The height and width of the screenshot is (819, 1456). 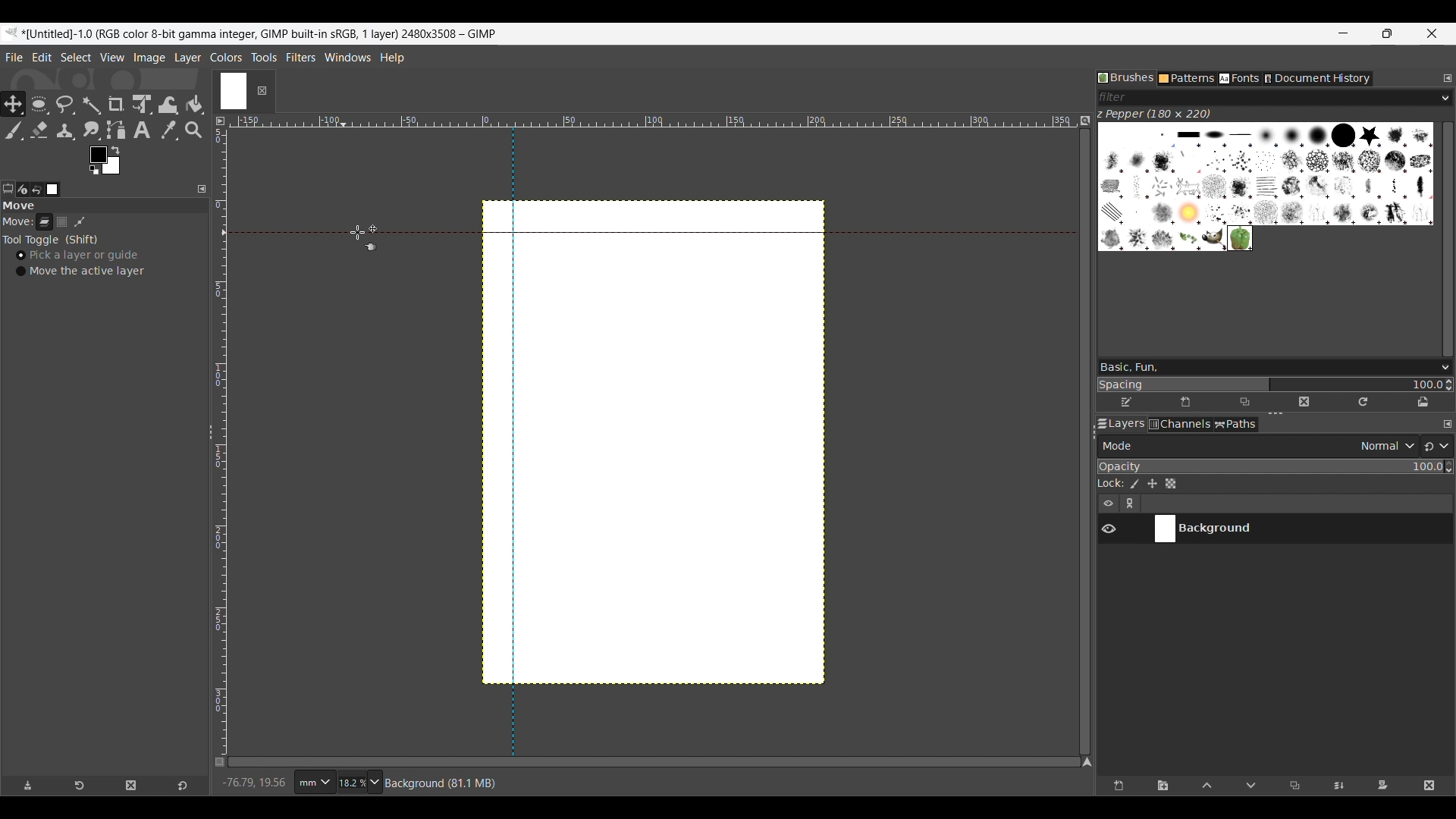 What do you see at coordinates (1448, 239) in the screenshot?
I see `Vertical slide bar` at bounding box center [1448, 239].